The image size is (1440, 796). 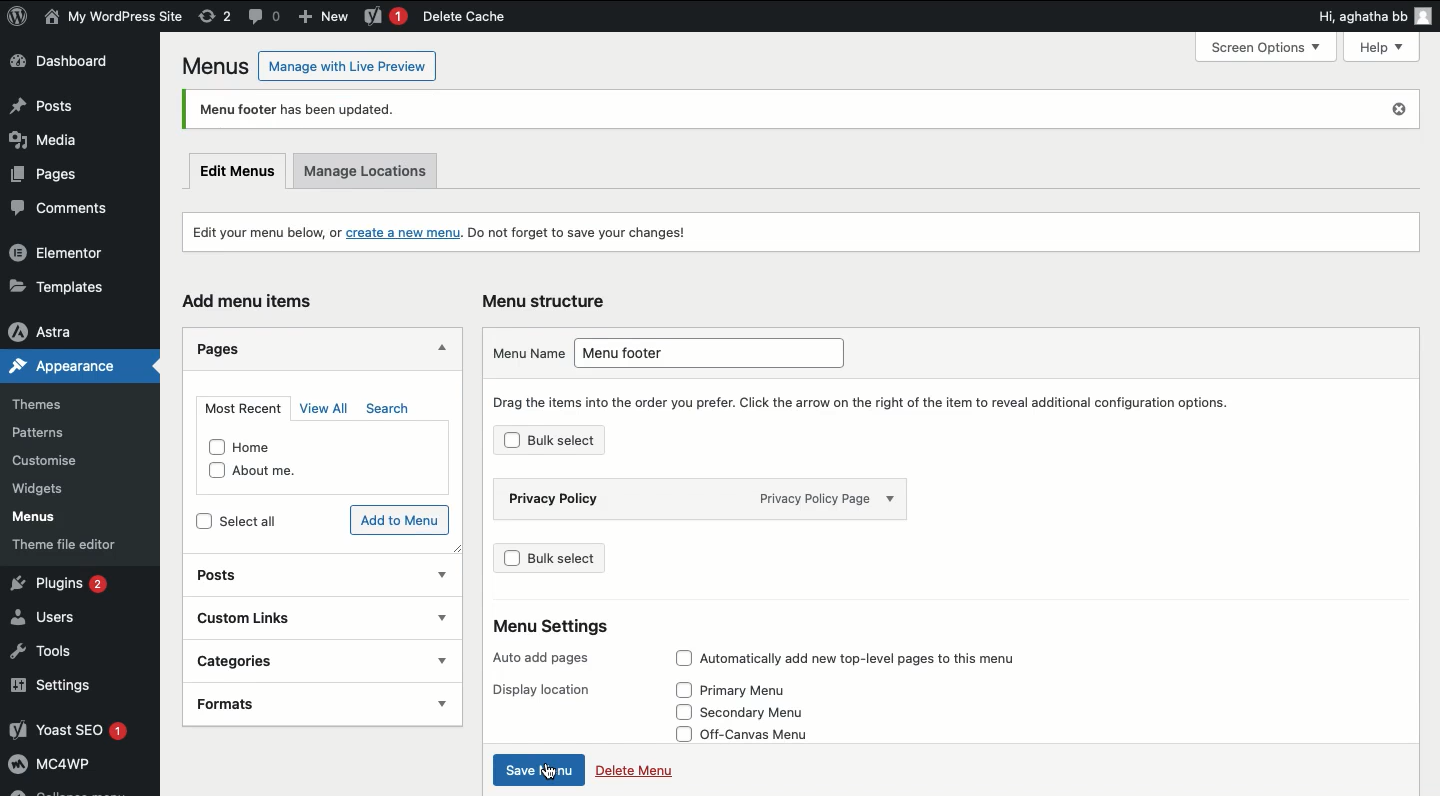 What do you see at coordinates (391, 413) in the screenshot?
I see `Search` at bounding box center [391, 413].